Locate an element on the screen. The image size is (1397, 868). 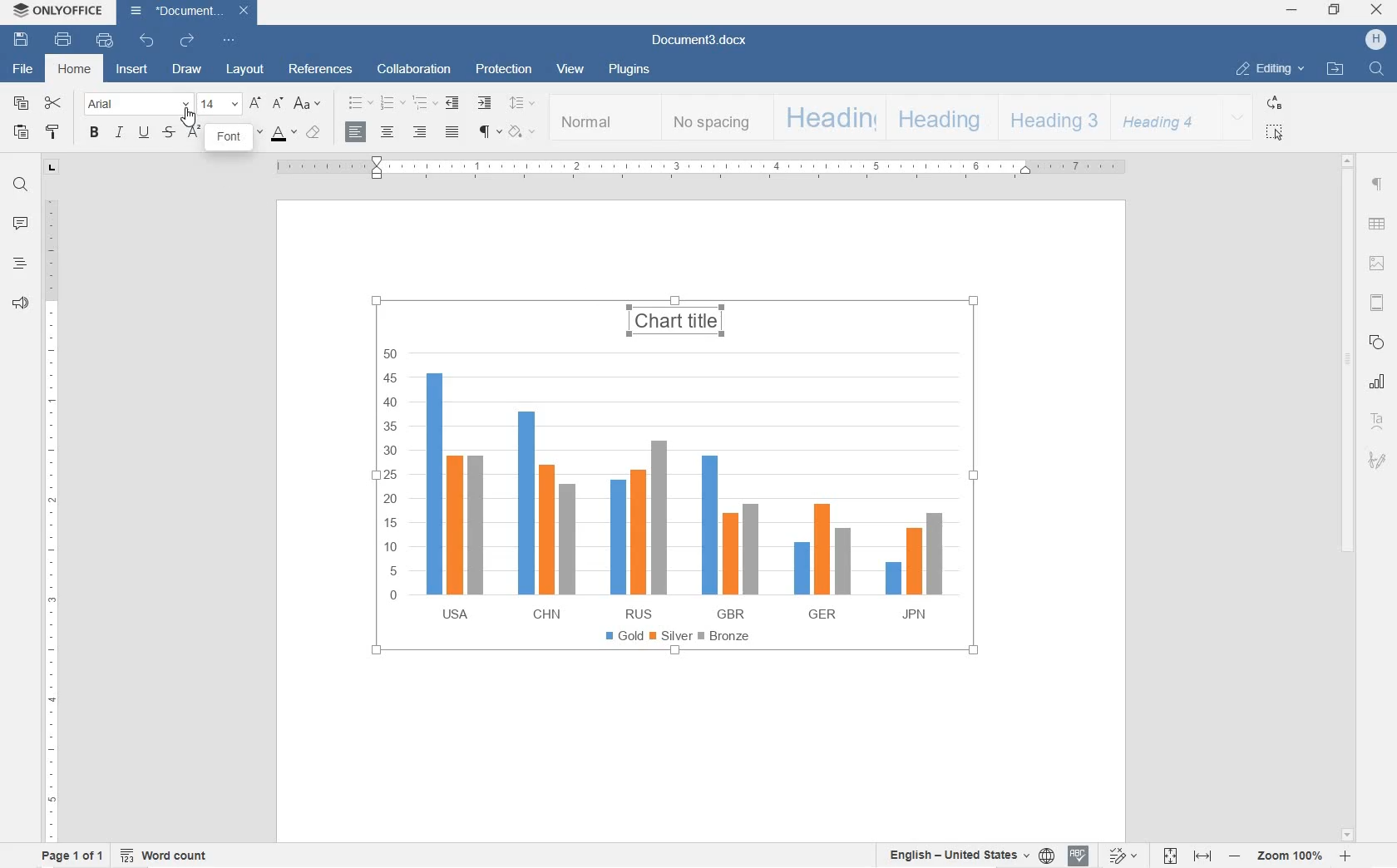
SAVE is located at coordinates (21, 42).